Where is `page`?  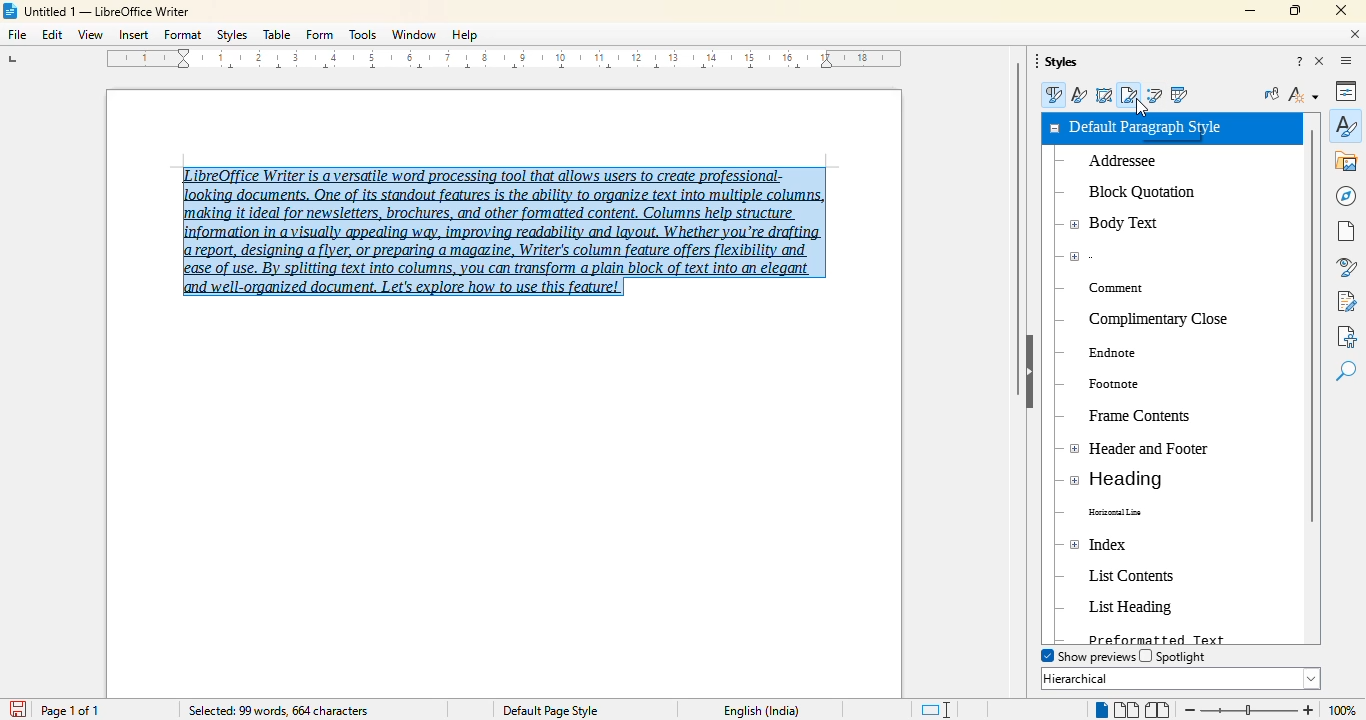
page is located at coordinates (1346, 231).